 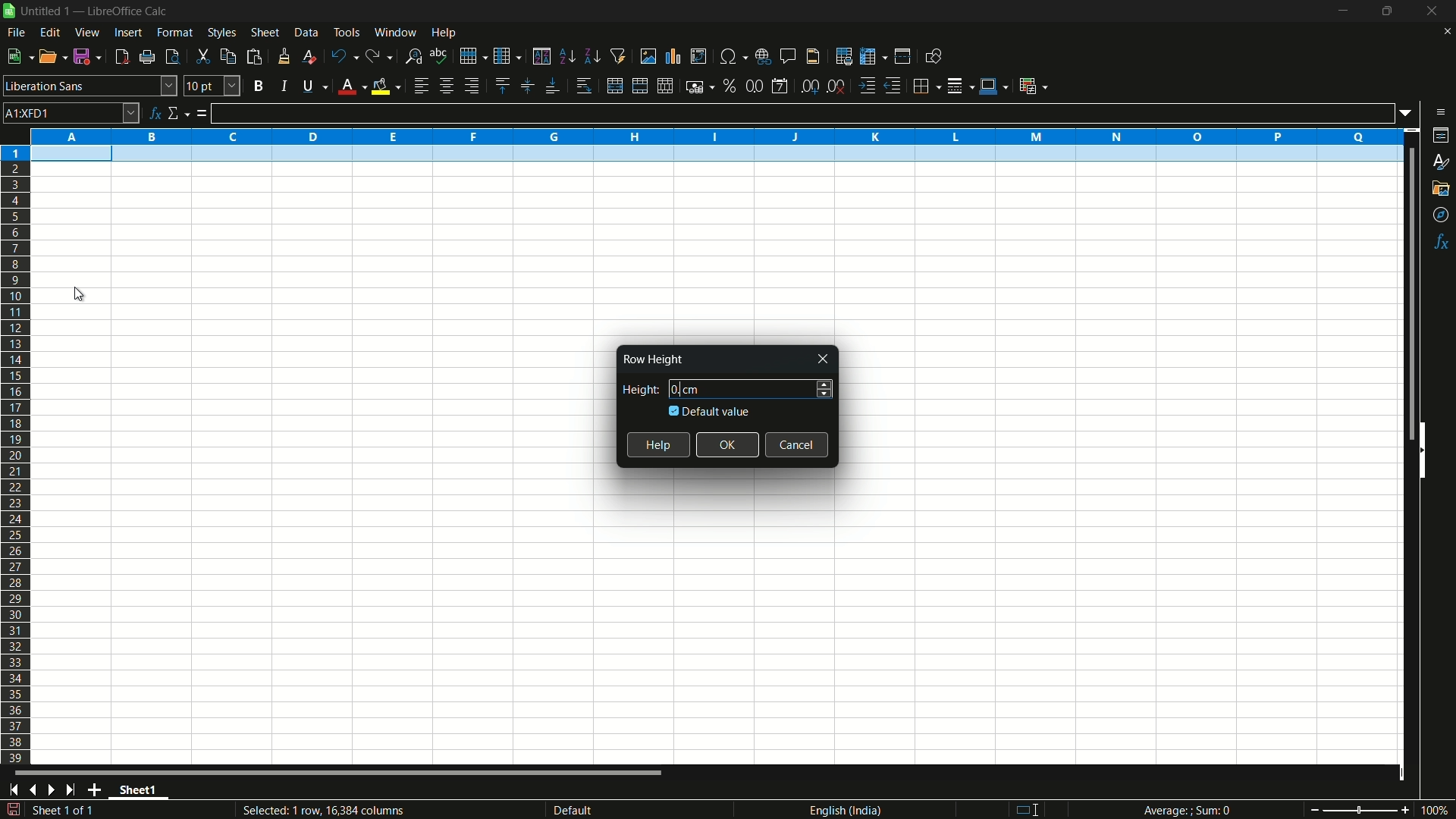 What do you see at coordinates (88, 33) in the screenshot?
I see `view menu` at bounding box center [88, 33].